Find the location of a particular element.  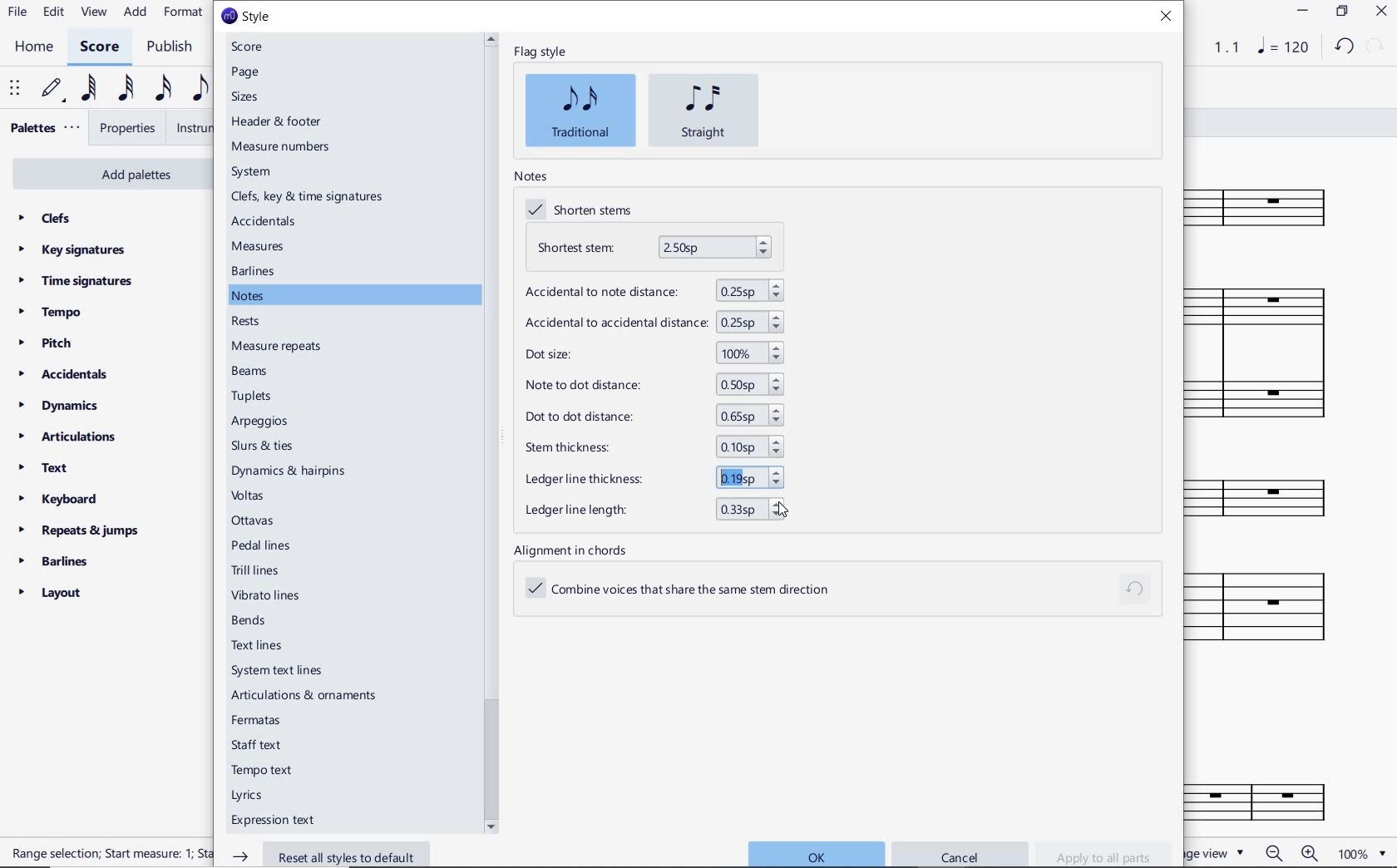

bends is located at coordinates (253, 619).